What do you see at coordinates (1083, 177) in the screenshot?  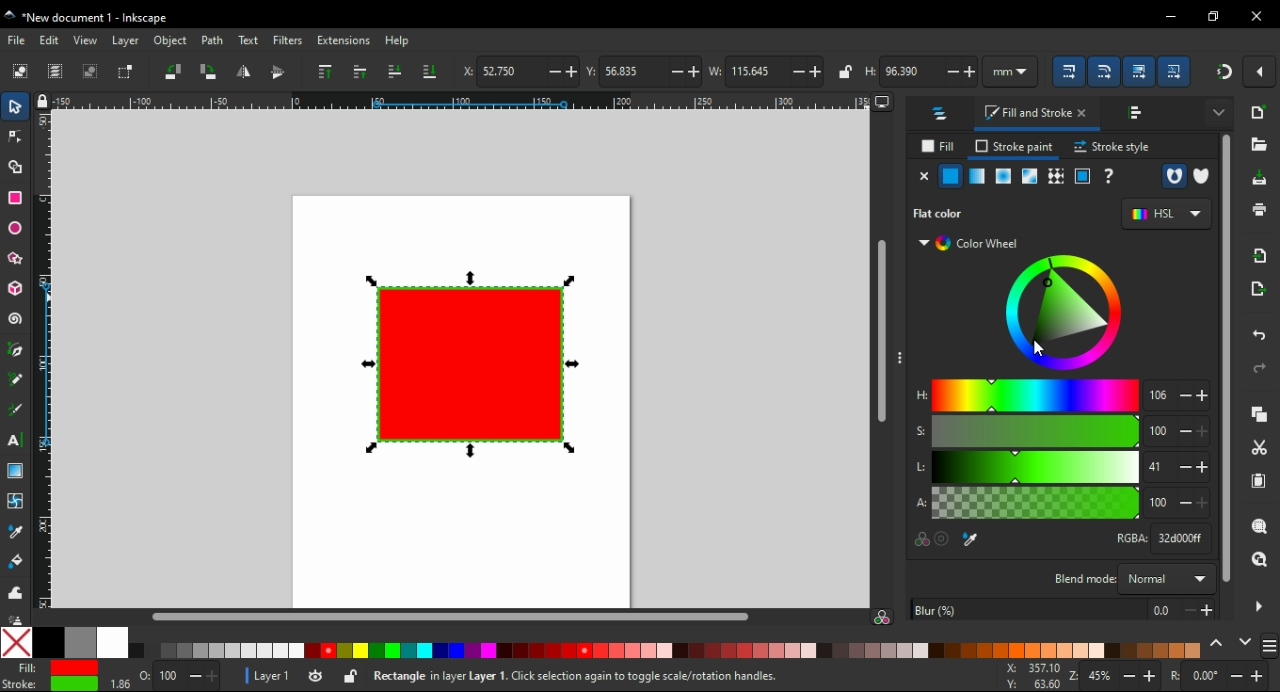 I see `swatch` at bounding box center [1083, 177].